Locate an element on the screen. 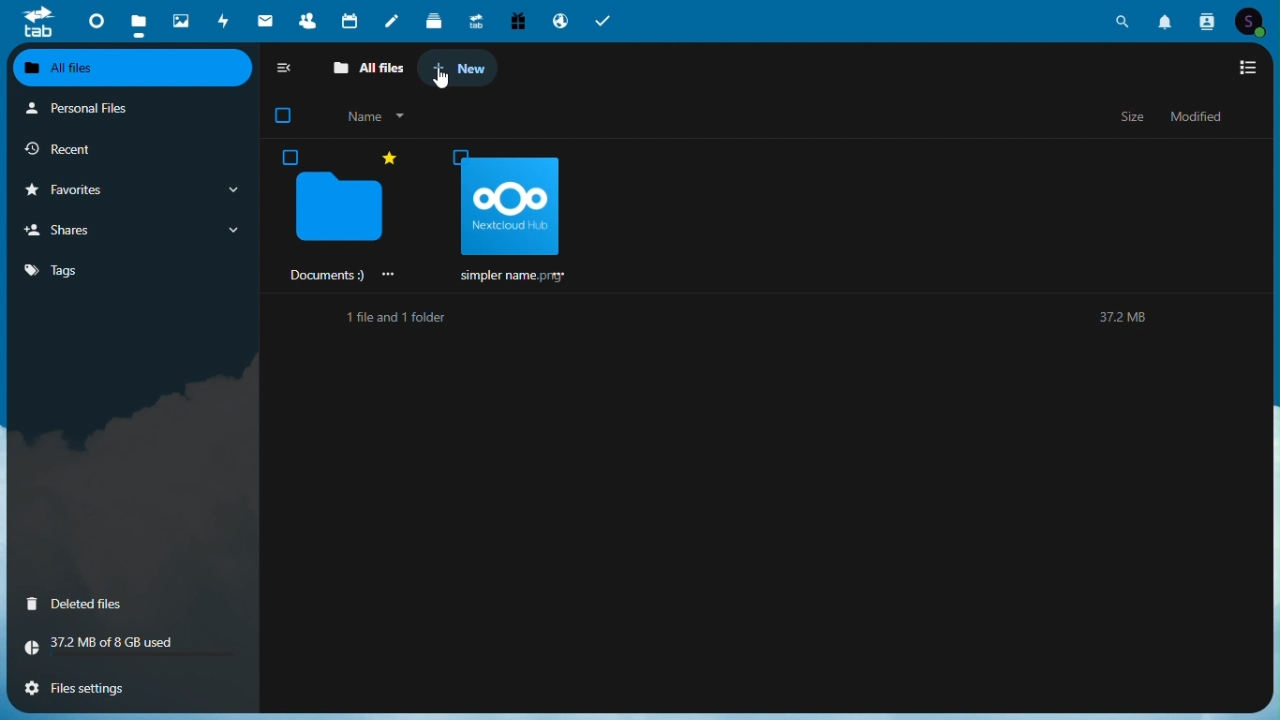 The image size is (1280, 720). New is located at coordinates (459, 69).